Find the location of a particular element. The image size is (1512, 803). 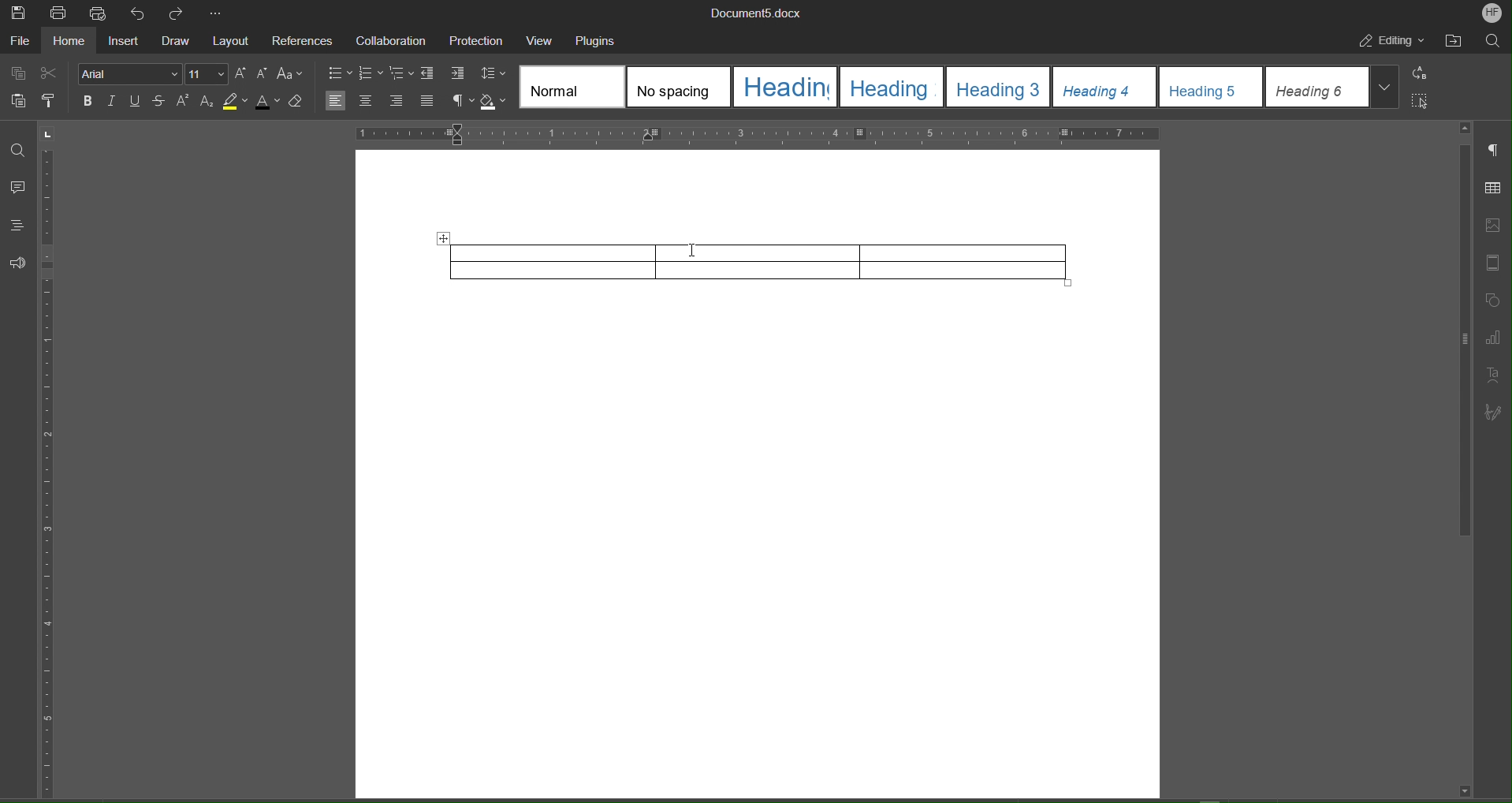

Signature is located at coordinates (1496, 409).